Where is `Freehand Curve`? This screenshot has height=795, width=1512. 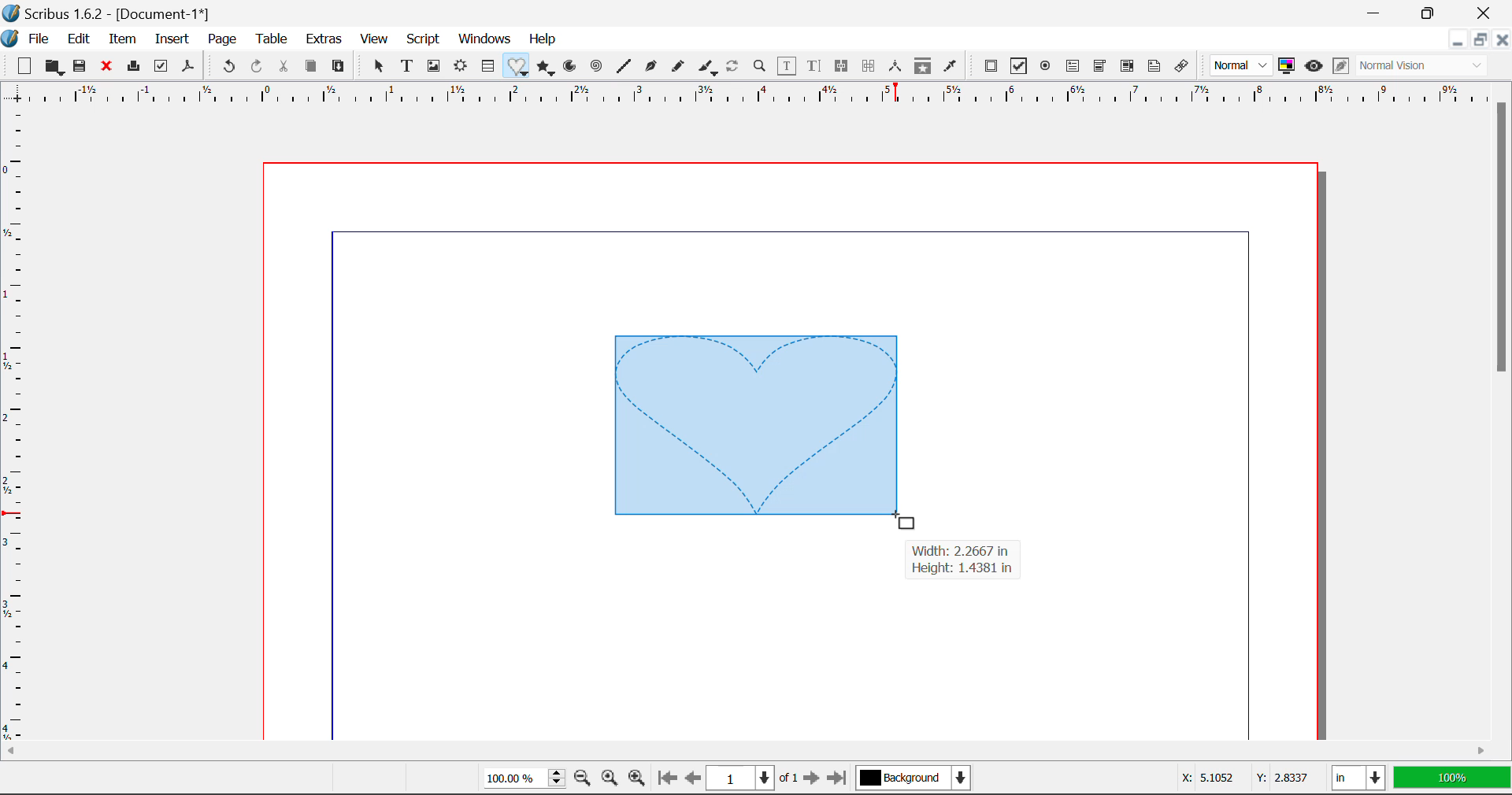 Freehand Curve is located at coordinates (680, 66).